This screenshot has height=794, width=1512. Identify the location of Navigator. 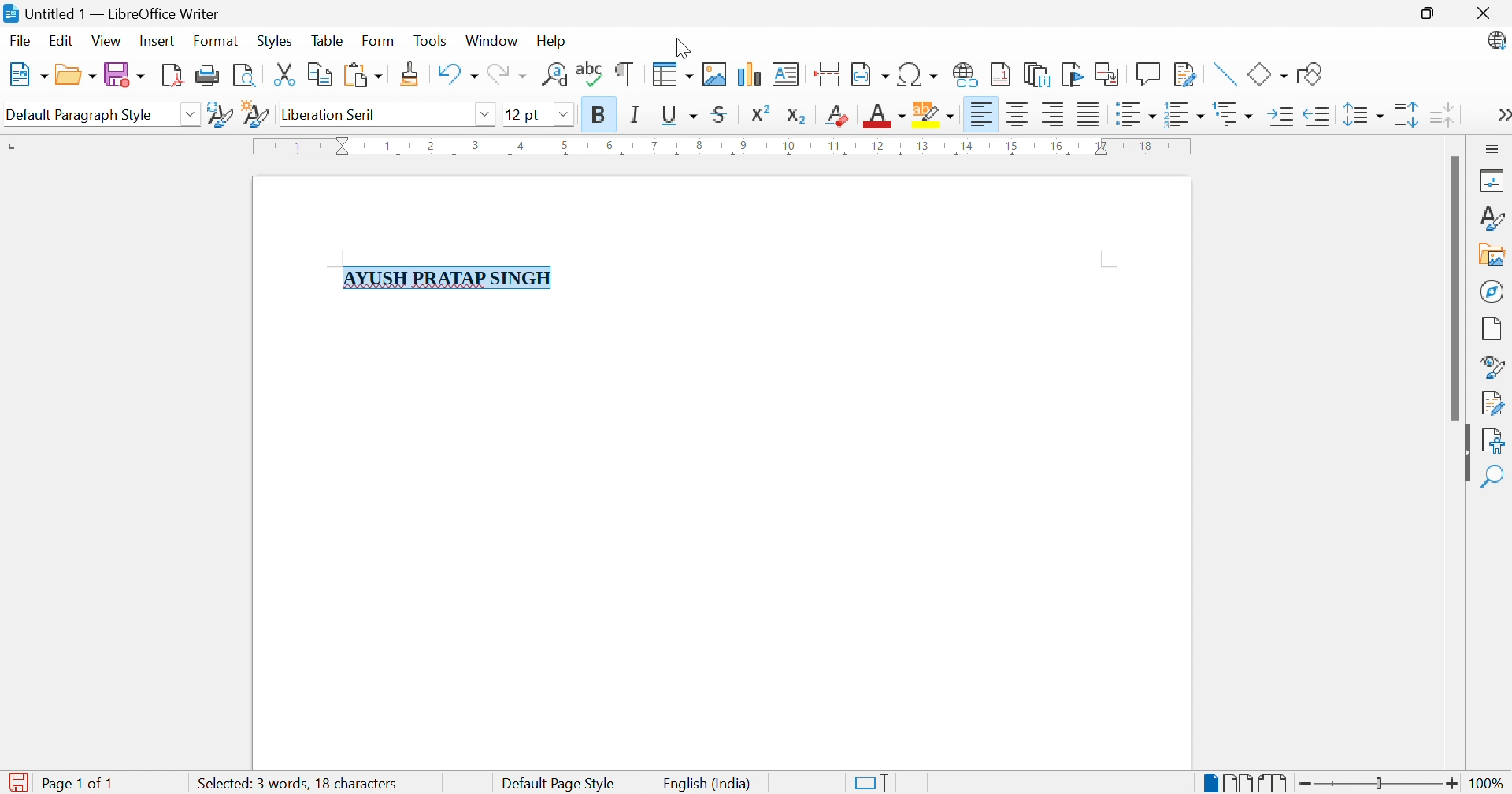
(1491, 291).